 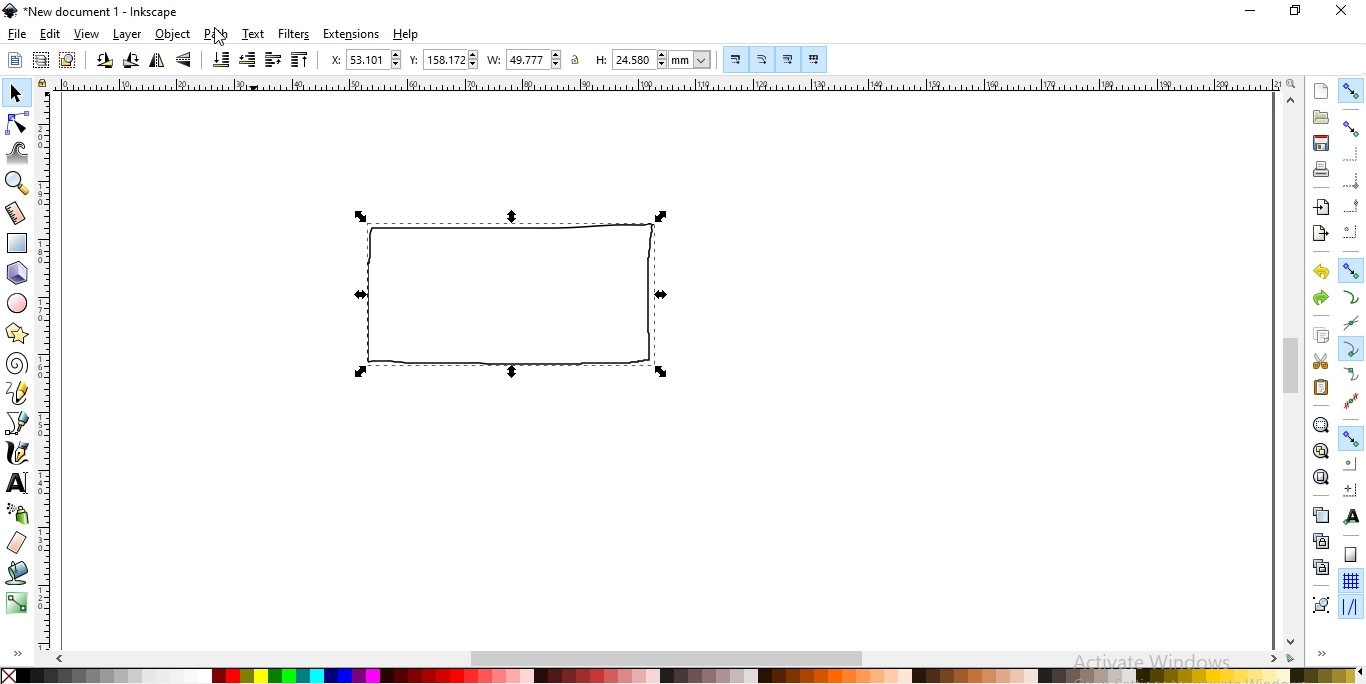 What do you see at coordinates (1350, 489) in the screenshot?
I see `snap an item's rotation center` at bounding box center [1350, 489].